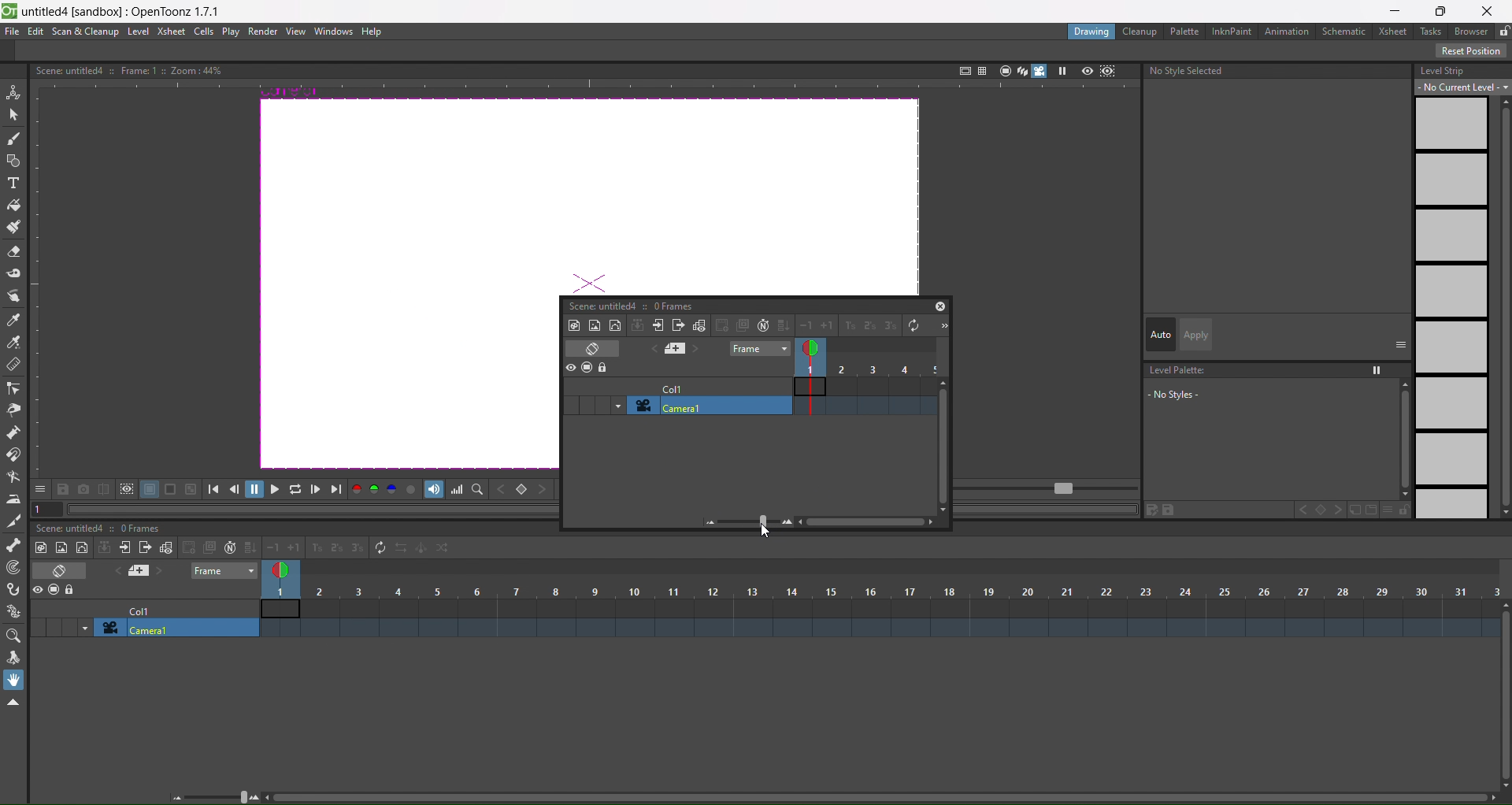 The image size is (1512, 805). Describe the element at coordinates (1002, 69) in the screenshot. I see `camera stand view` at that location.